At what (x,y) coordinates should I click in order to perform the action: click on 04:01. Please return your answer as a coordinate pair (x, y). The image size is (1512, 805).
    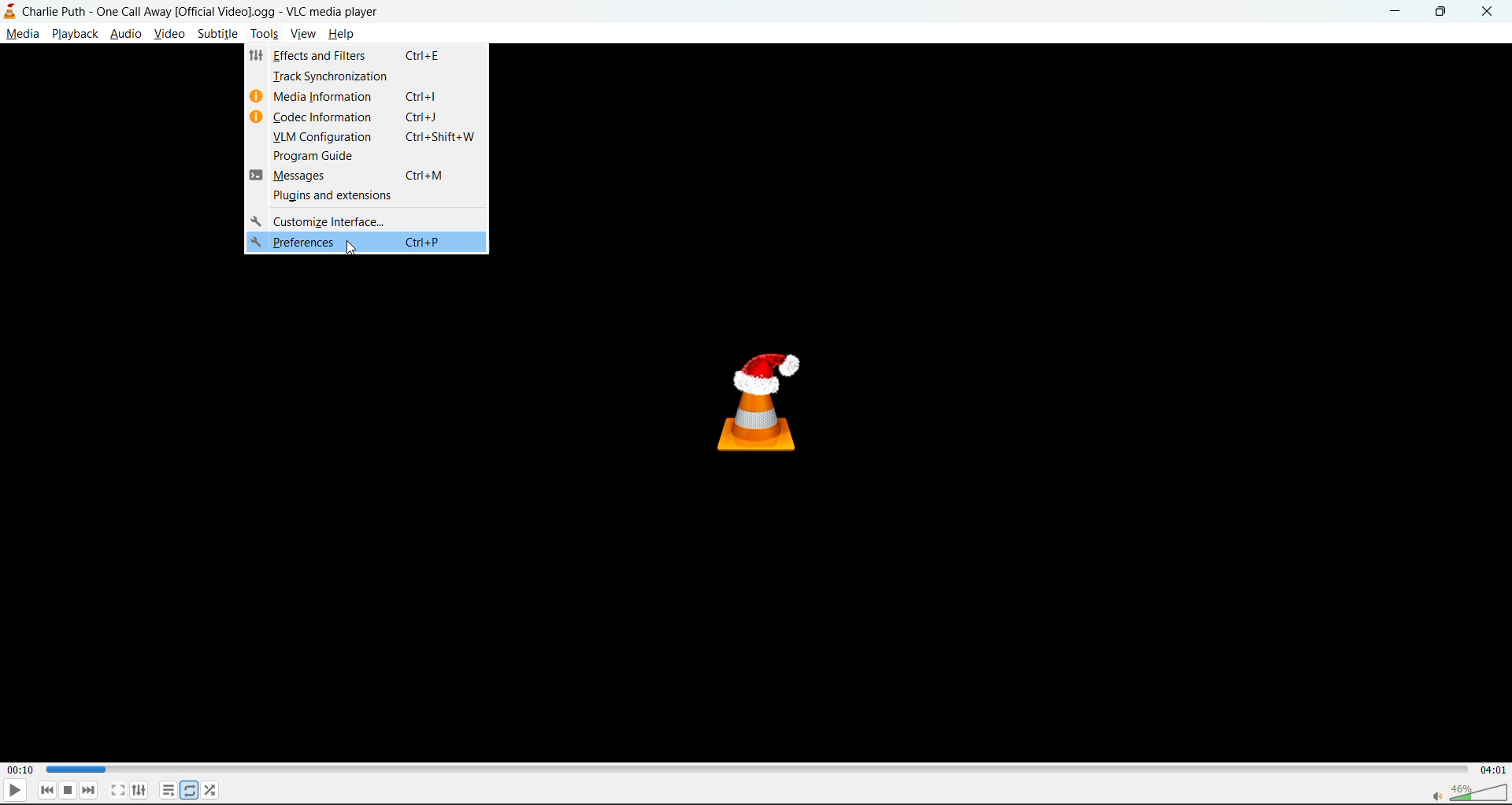
    Looking at the image, I should click on (1493, 770).